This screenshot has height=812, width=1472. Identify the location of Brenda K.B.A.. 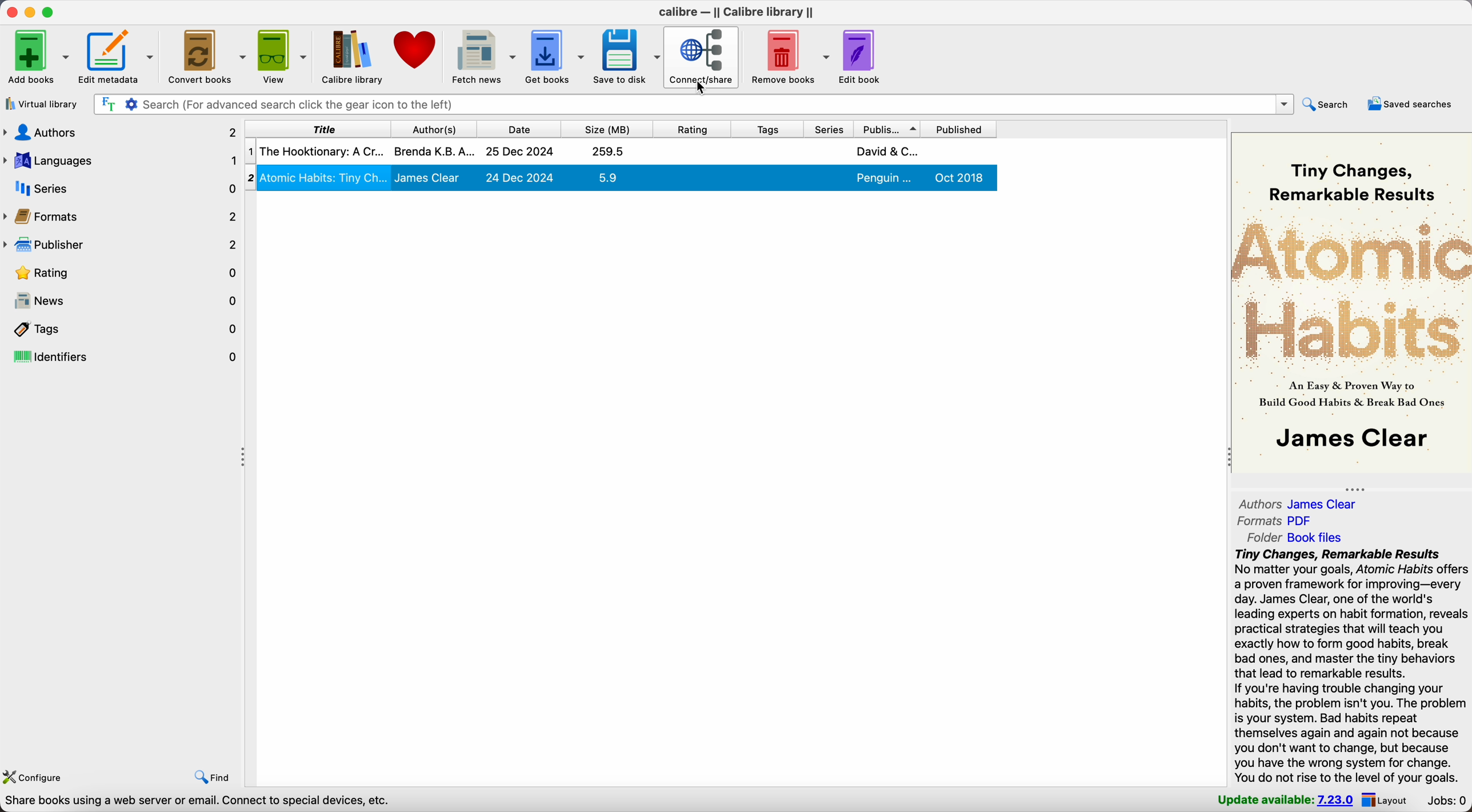
(434, 150).